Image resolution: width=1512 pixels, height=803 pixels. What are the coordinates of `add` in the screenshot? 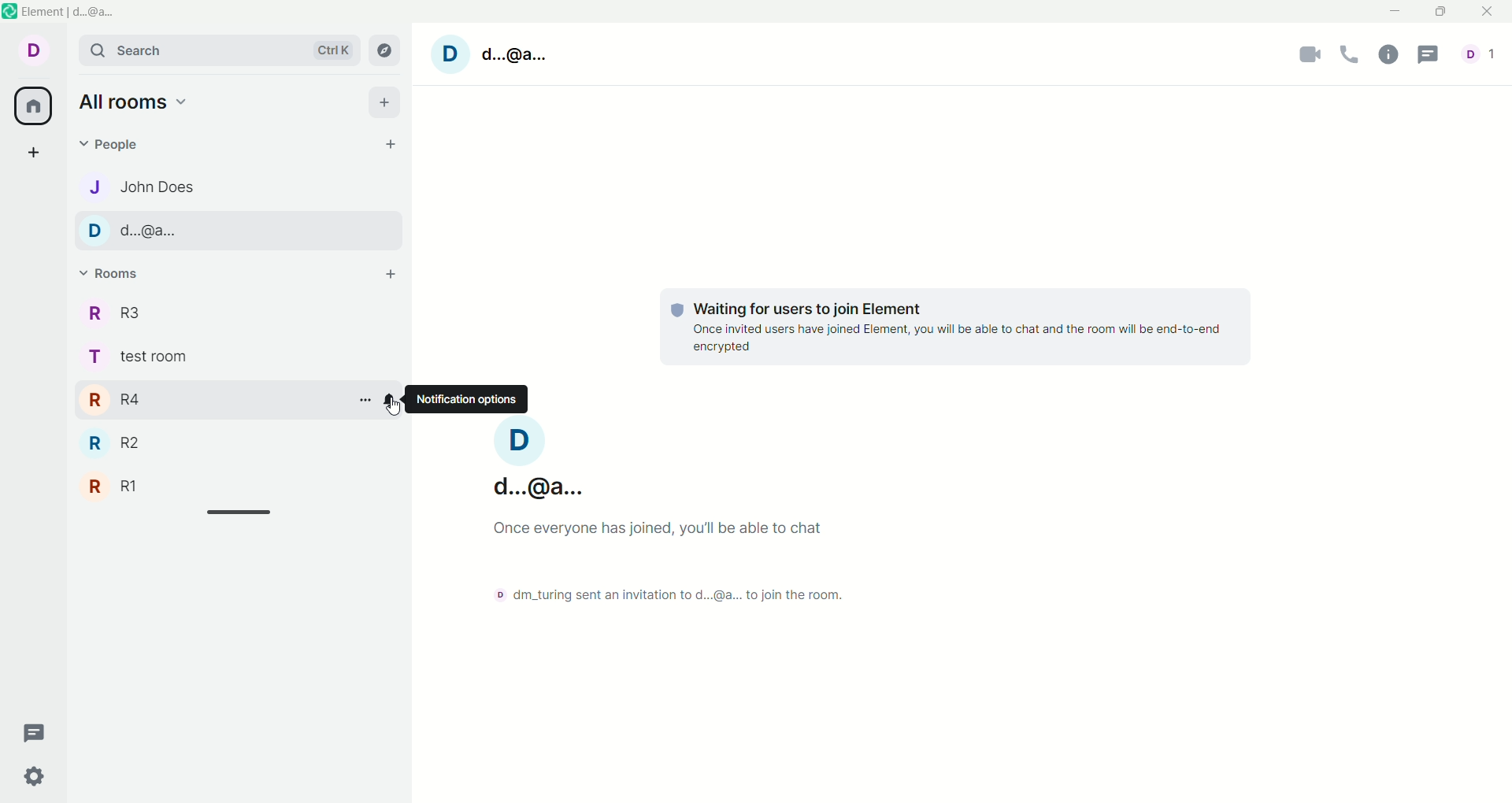 It's located at (391, 273).